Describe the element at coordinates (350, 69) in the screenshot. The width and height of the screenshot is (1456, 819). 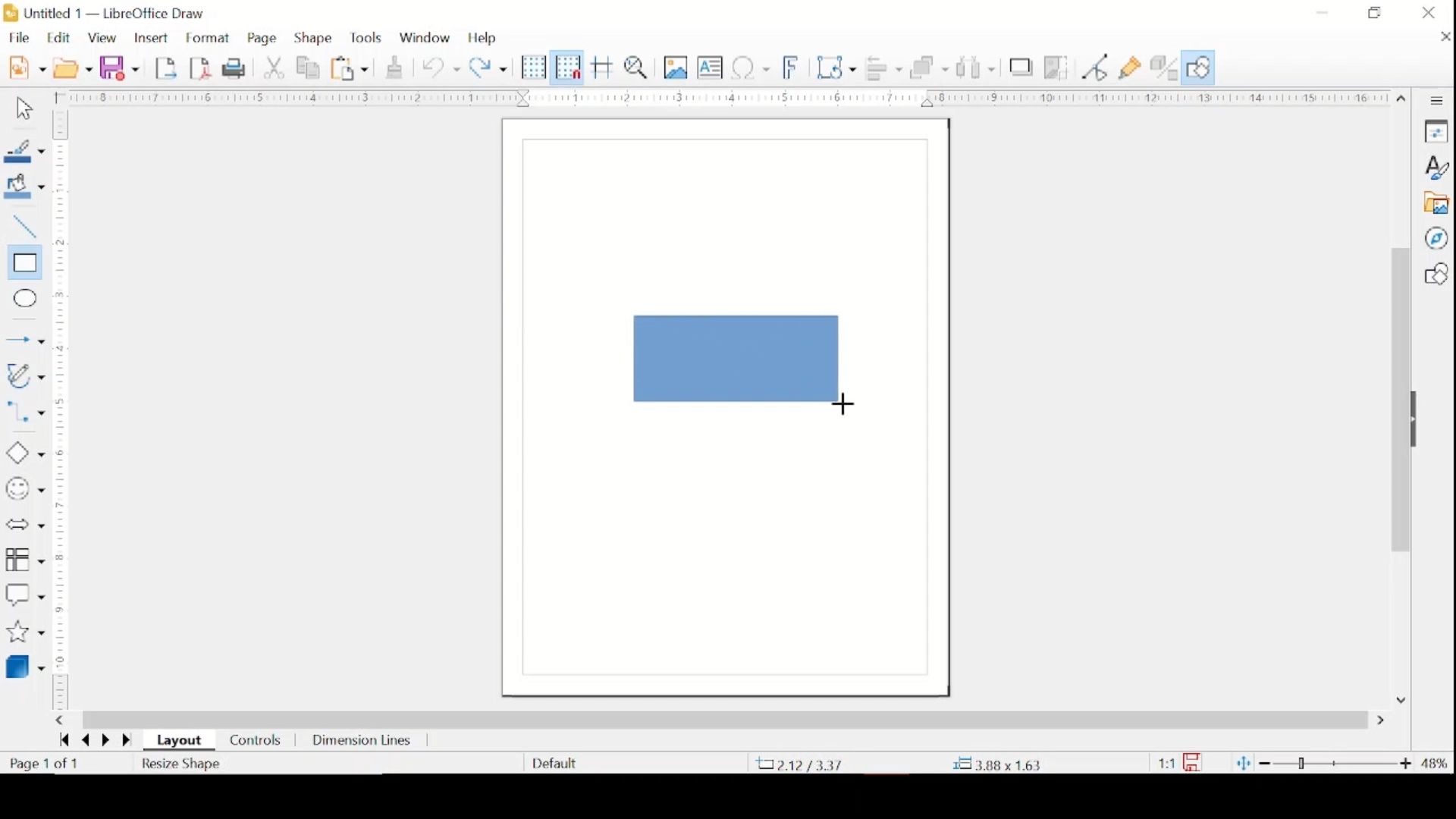
I see `paste options` at that location.